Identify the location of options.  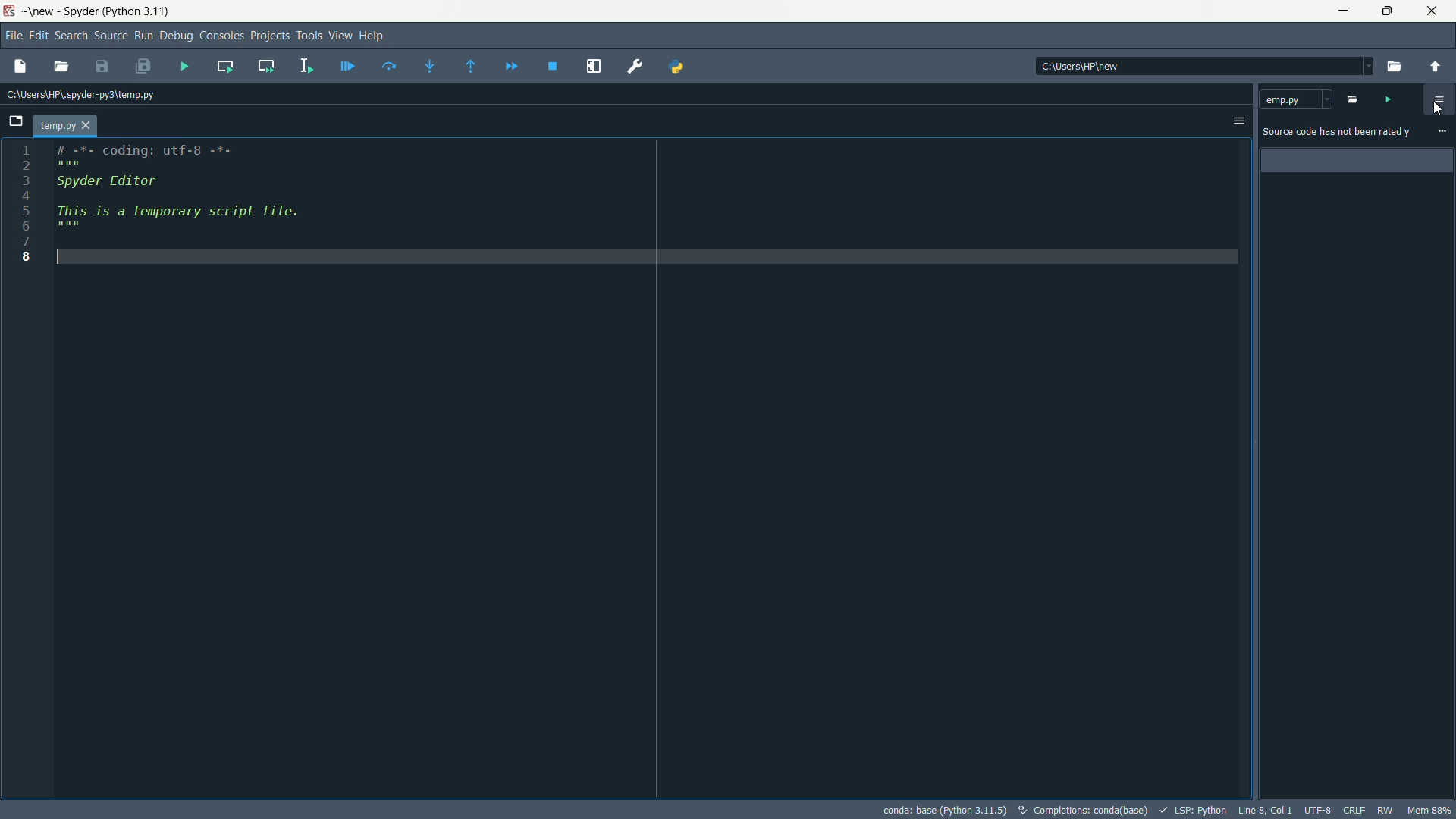
(1237, 121).